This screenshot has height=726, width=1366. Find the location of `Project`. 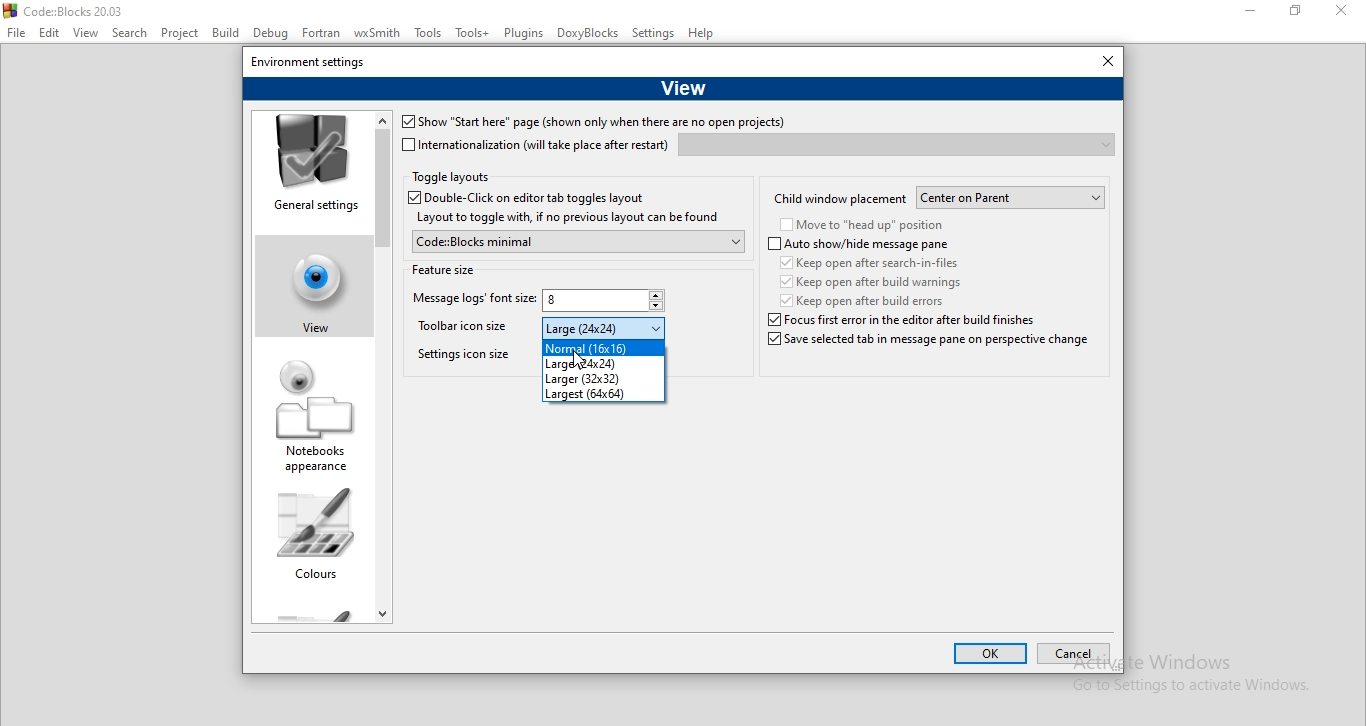

Project is located at coordinates (183, 33).